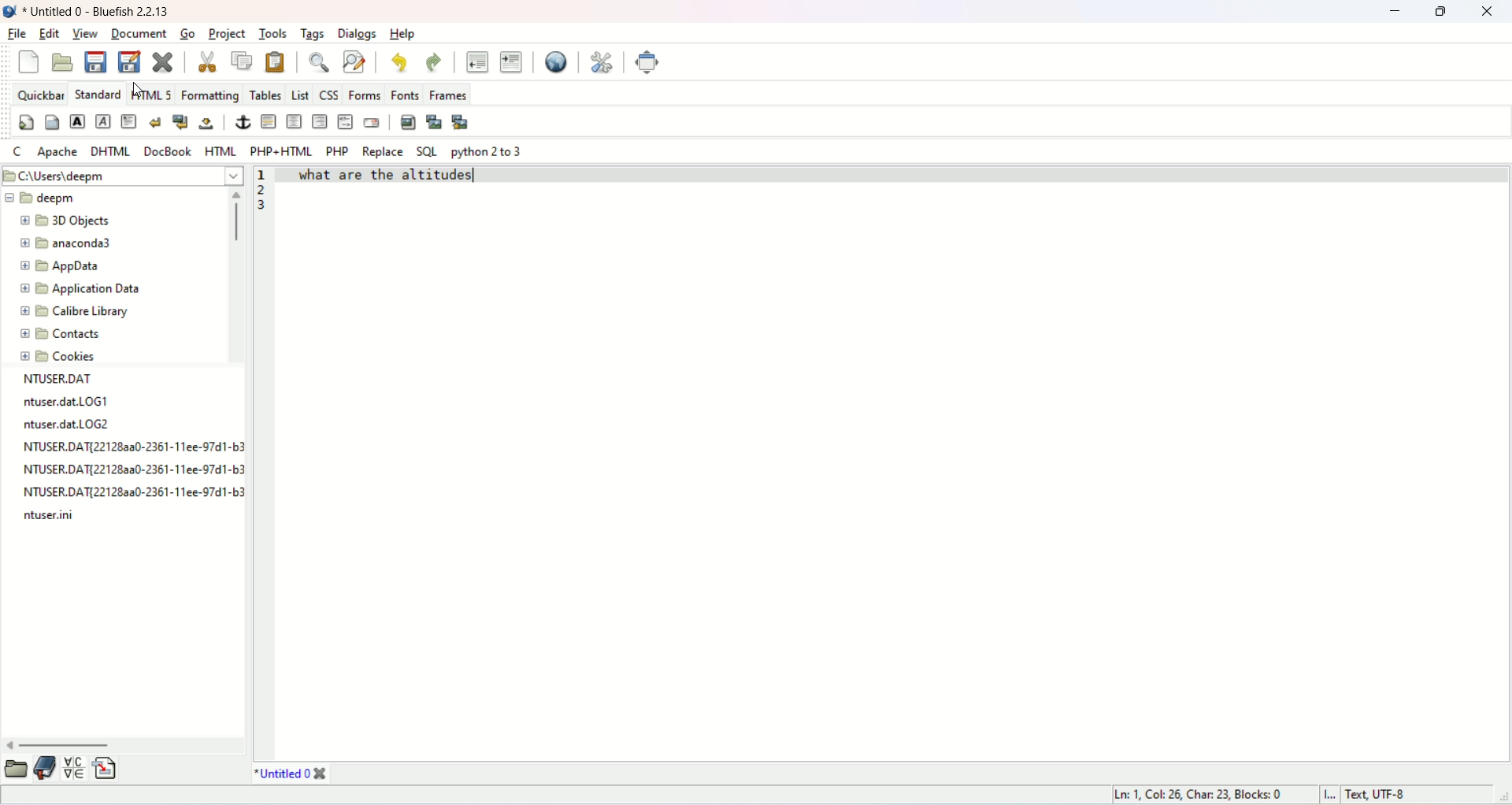  What do you see at coordinates (245, 121) in the screenshot?
I see `anchor/hyperlink` at bounding box center [245, 121].